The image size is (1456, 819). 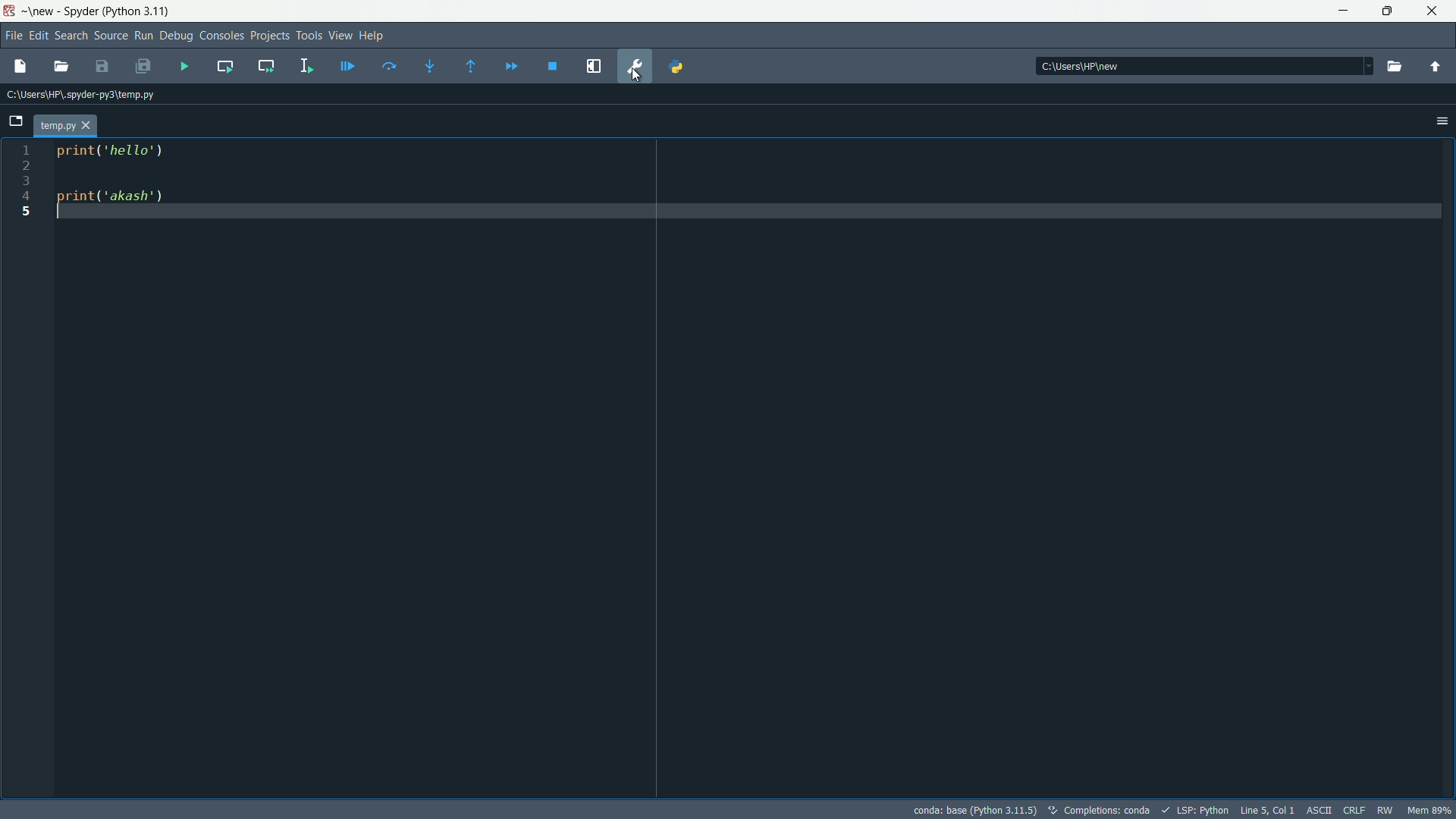 What do you see at coordinates (1364, 66) in the screenshot?
I see `More items` at bounding box center [1364, 66].